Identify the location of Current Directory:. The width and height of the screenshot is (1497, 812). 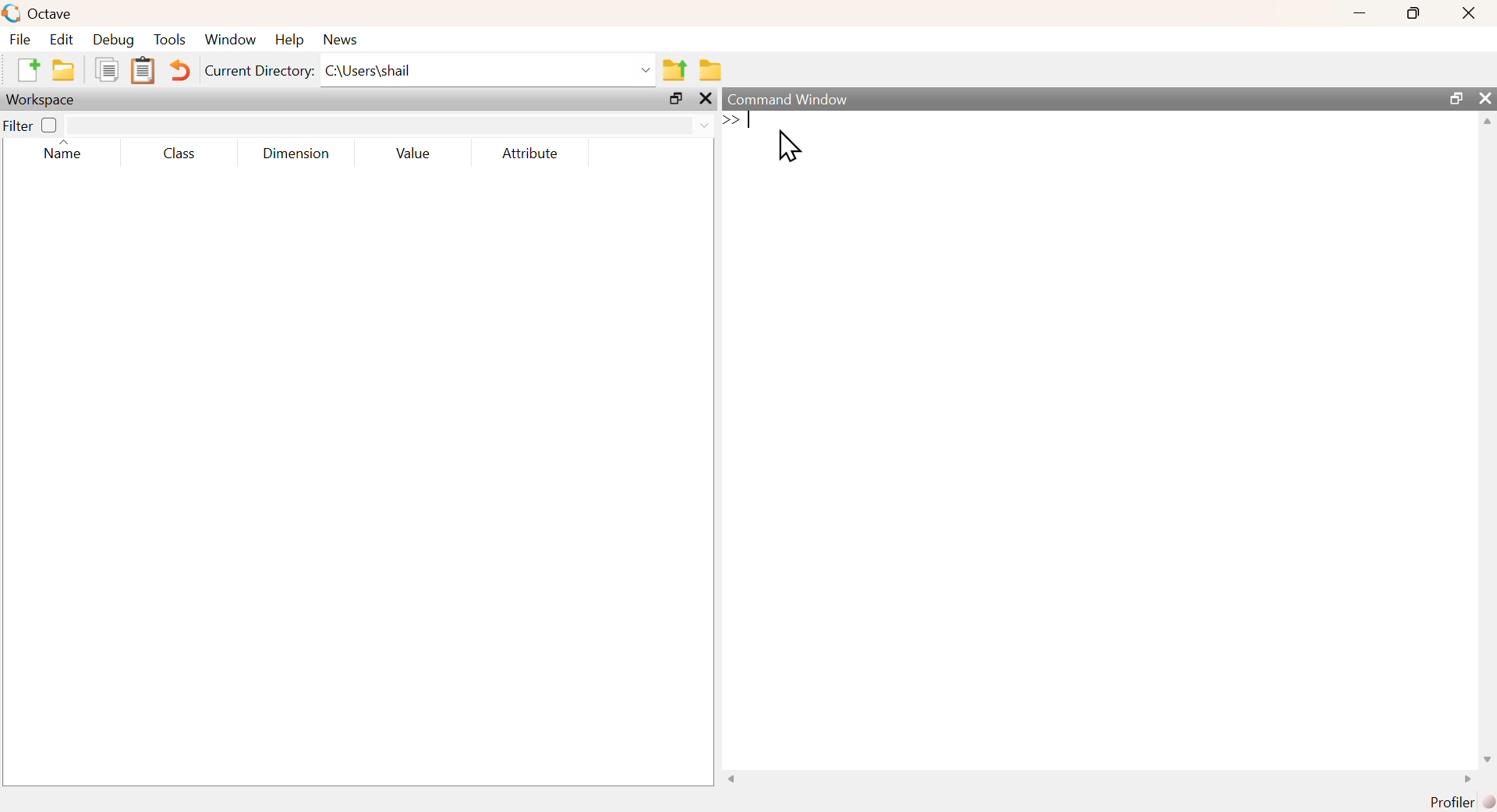
(259, 70).